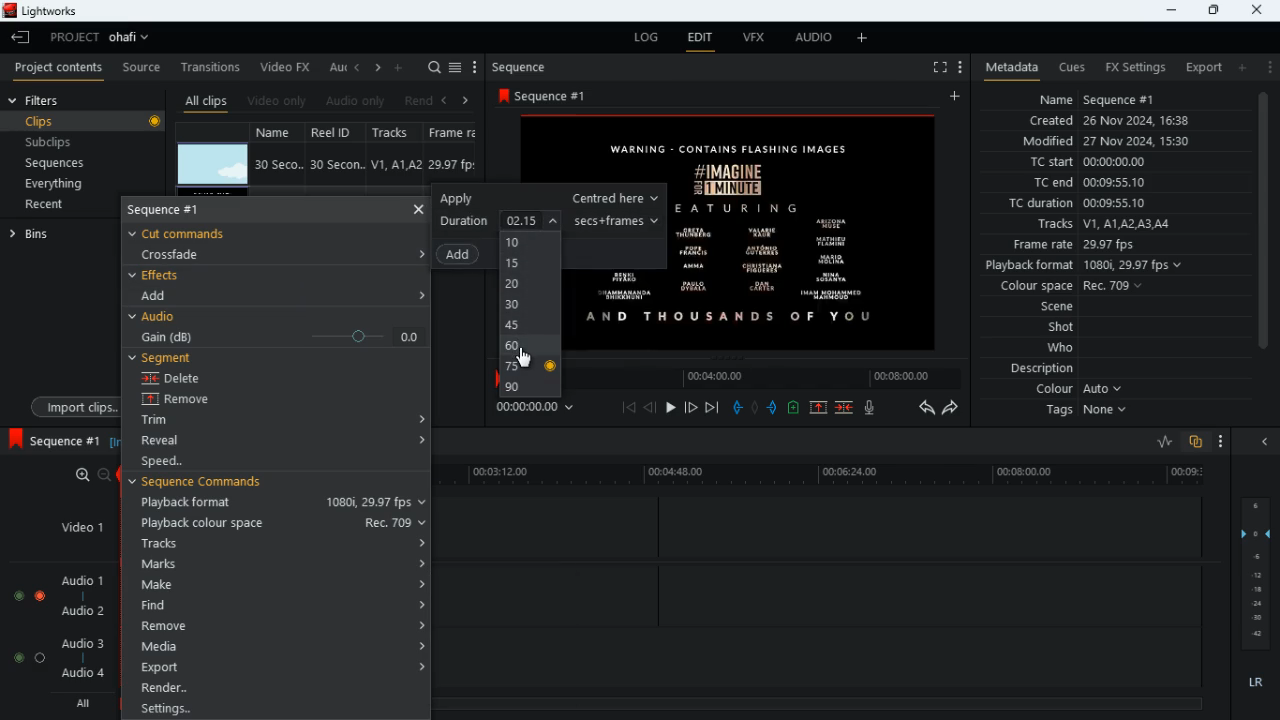 Image resolution: width=1280 pixels, height=720 pixels. What do you see at coordinates (1168, 10) in the screenshot?
I see `minimize` at bounding box center [1168, 10].